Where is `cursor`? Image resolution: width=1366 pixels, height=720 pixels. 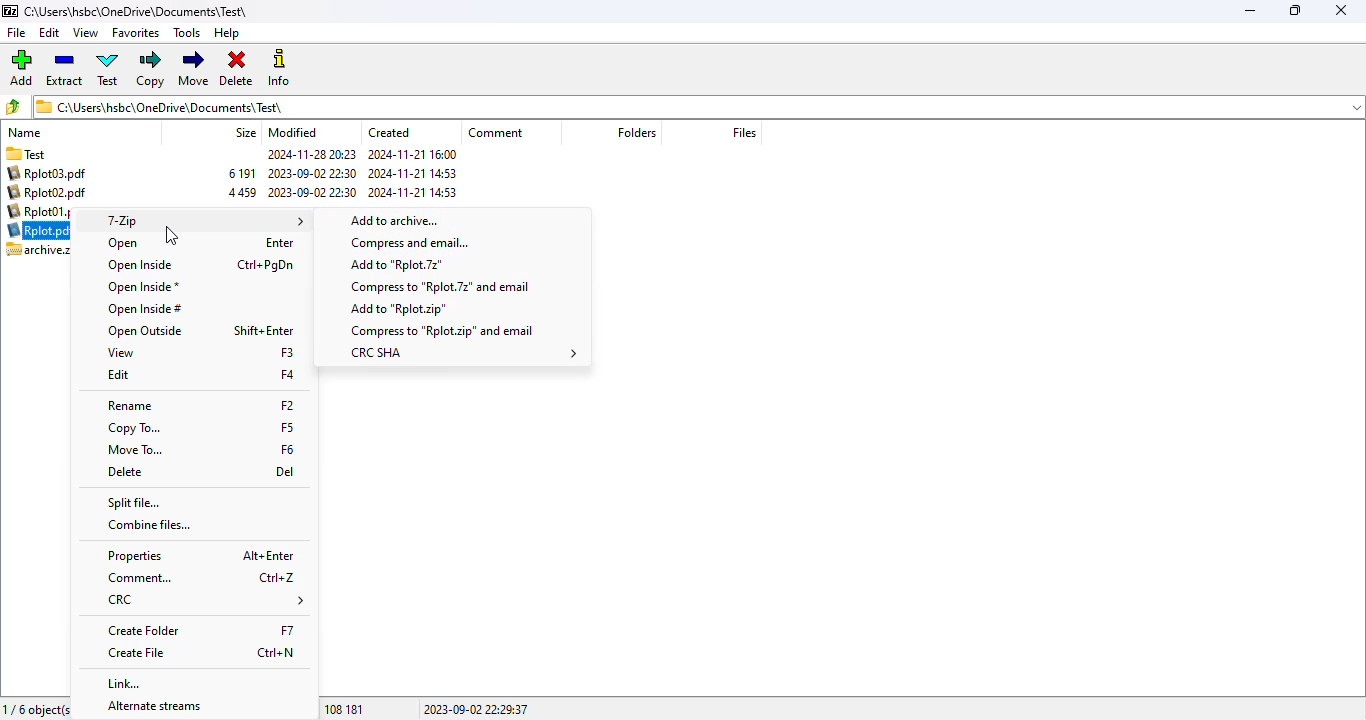 cursor is located at coordinates (173, 237).